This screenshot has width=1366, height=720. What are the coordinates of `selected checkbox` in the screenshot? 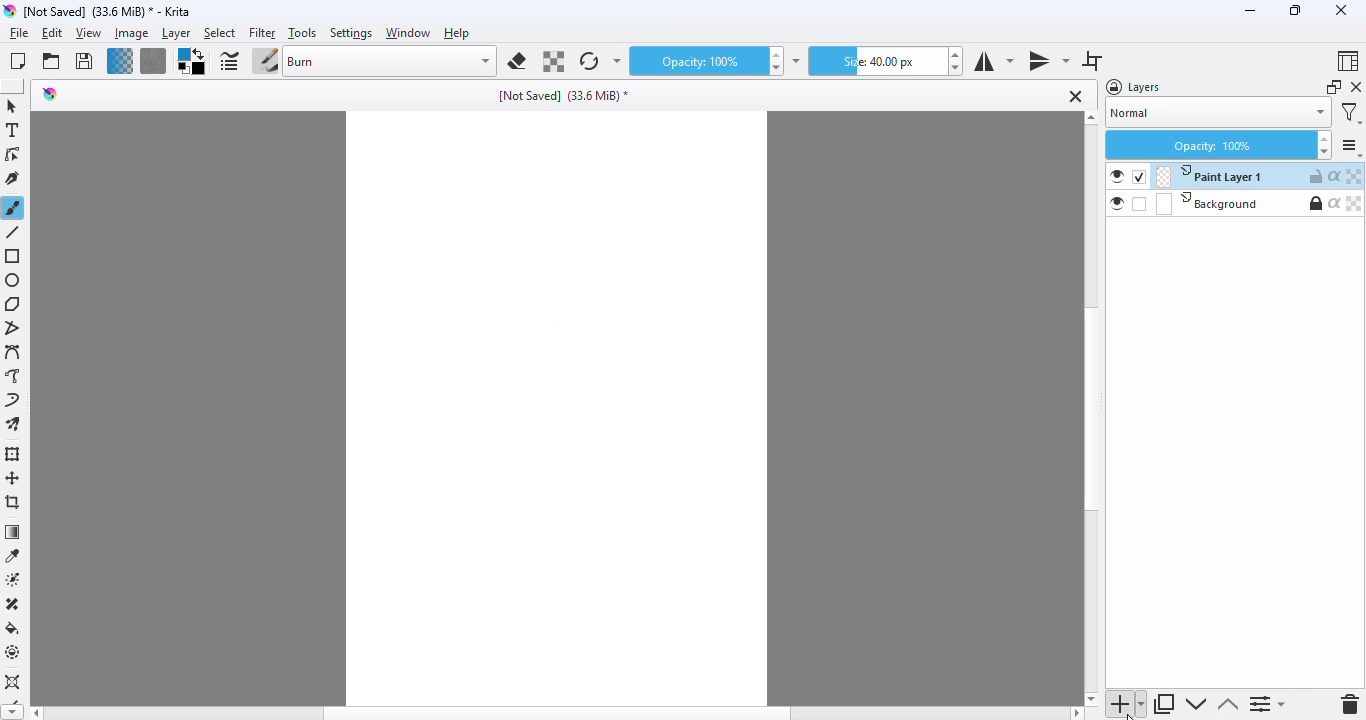 It's located at (1140, 204).